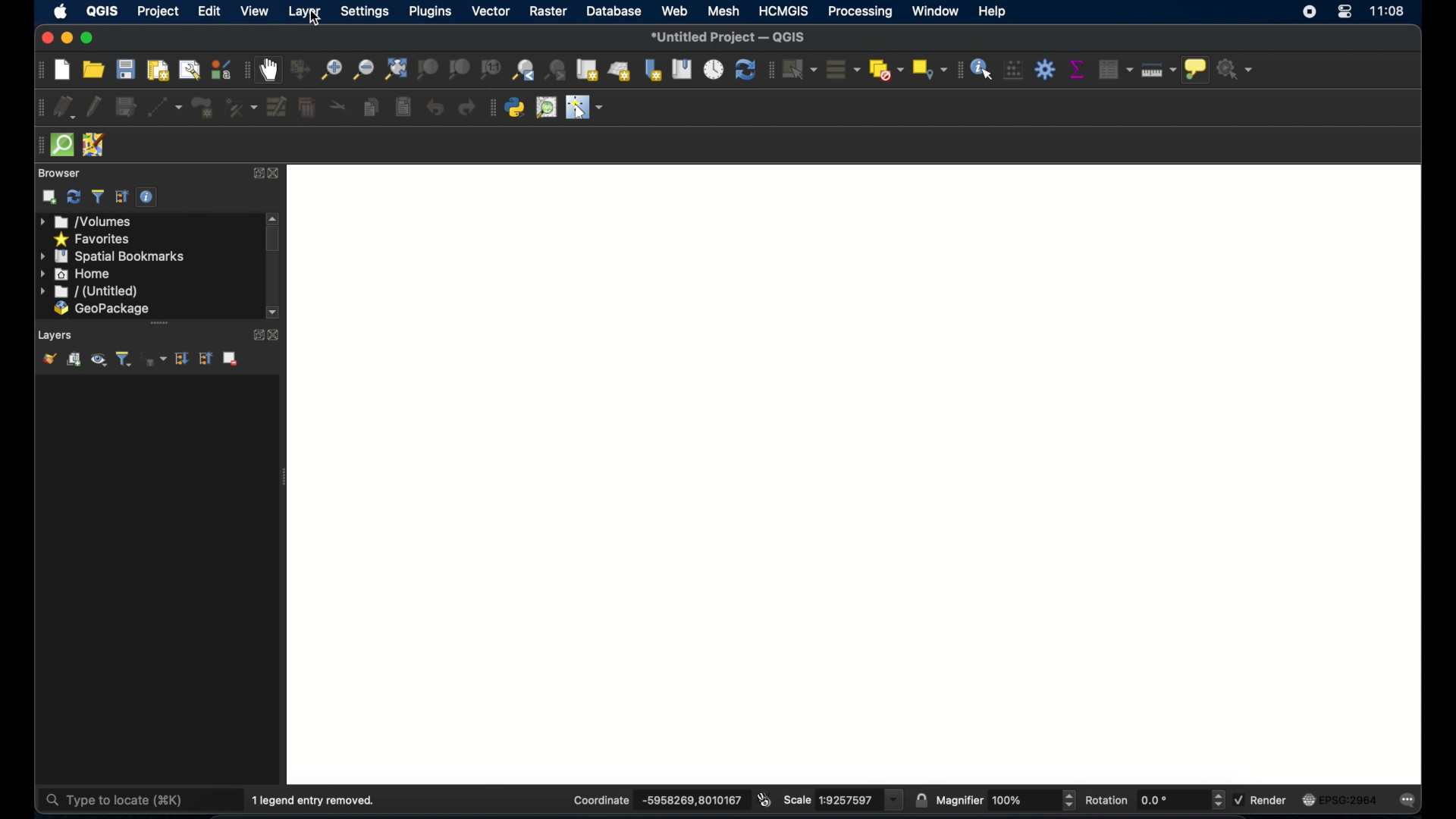  What do you see at coordinates (158, 70) in the screenshot?
I see `new print layout` at bounding box center [158, 70].